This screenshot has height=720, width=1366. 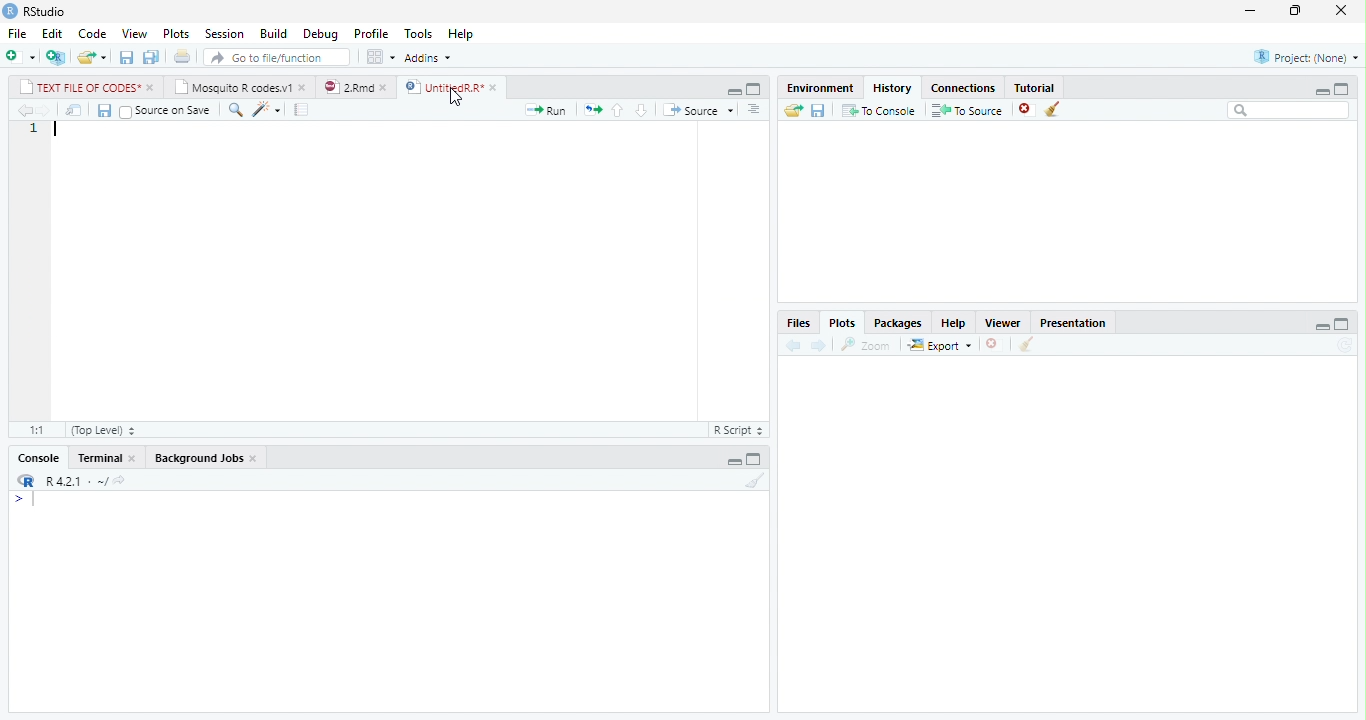 I want to click on Help, so click(x=953, y=324).